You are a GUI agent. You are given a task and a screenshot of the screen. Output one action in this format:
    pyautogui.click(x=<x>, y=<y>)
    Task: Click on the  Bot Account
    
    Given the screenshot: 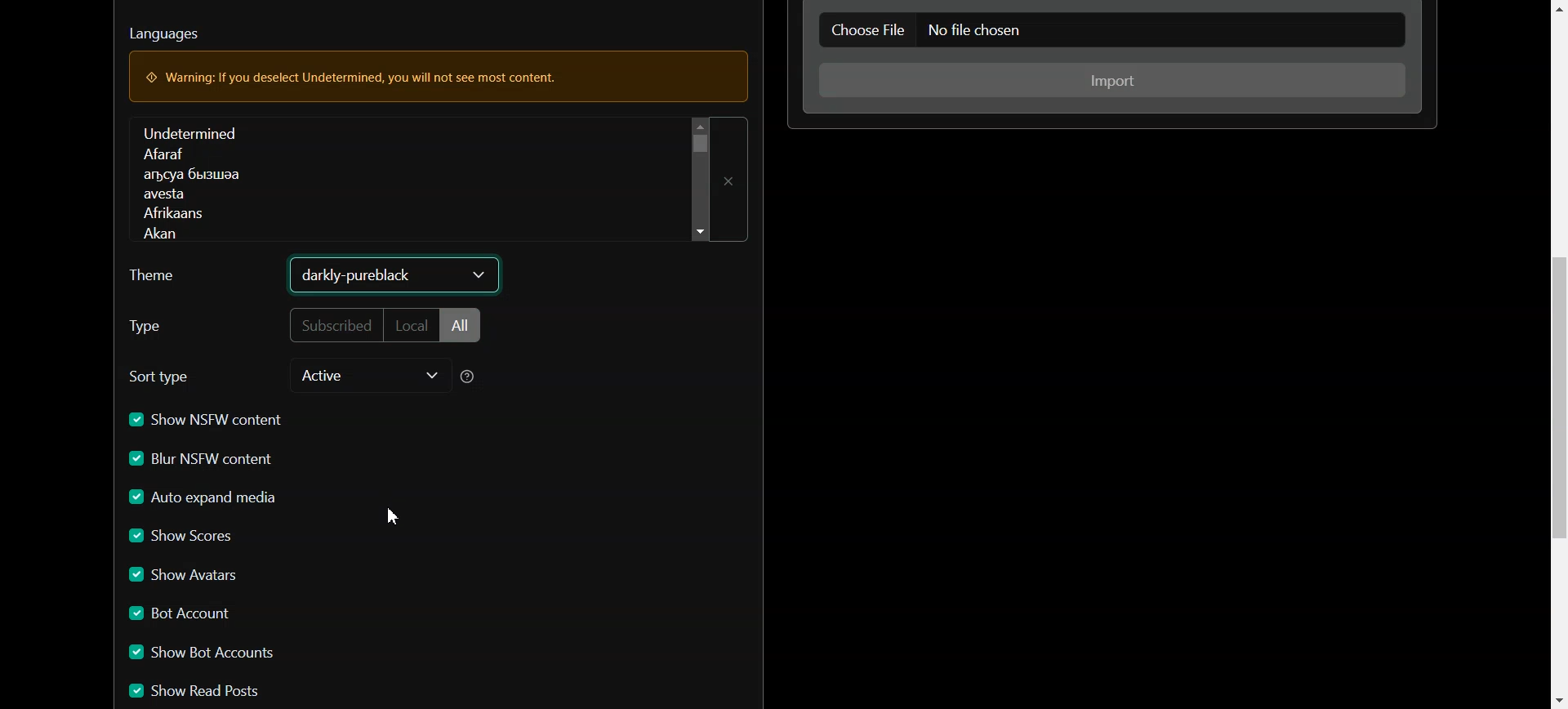 What is the action you would take?
    pyautogui.click(x=183, y=615)
    